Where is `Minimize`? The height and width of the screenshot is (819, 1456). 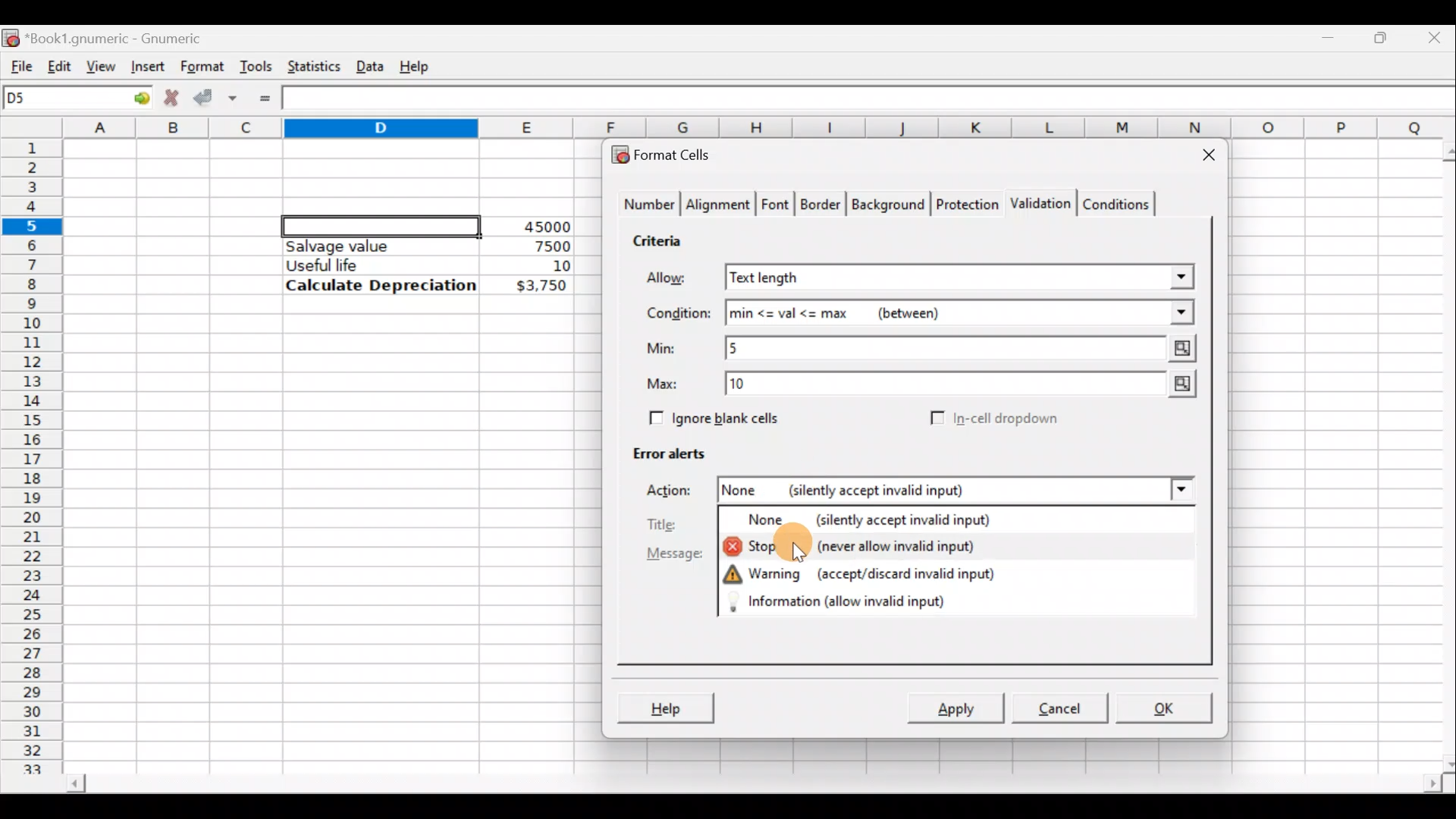
Minimize is located at coordinates (1332, 34).